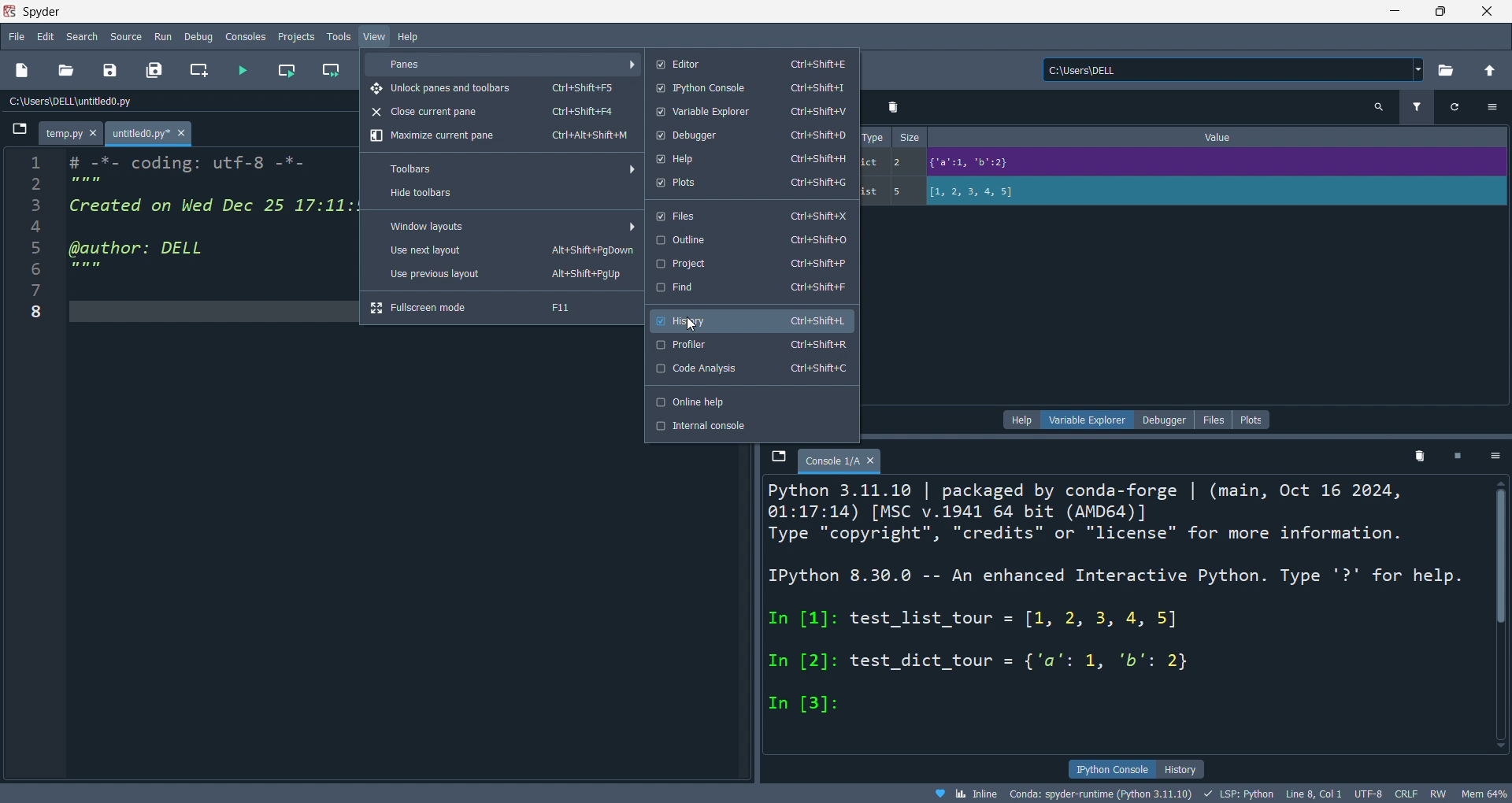 This screenshot has width=1512, height=803. Describe the element at coordinates (1237, 794) in the screenshot. I see `language` at that location.